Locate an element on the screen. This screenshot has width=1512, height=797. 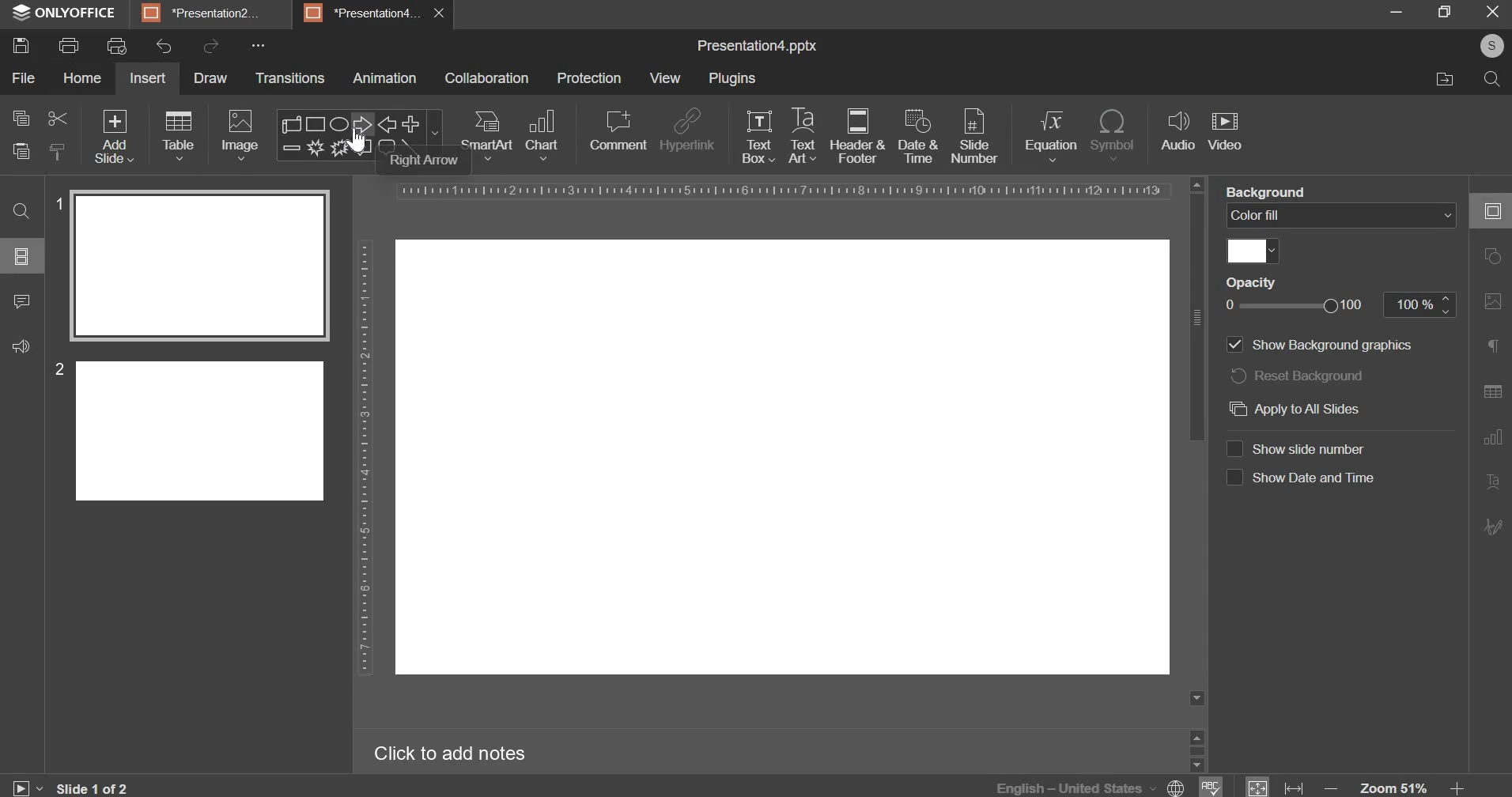
redo is located at coordinates (211, 46).